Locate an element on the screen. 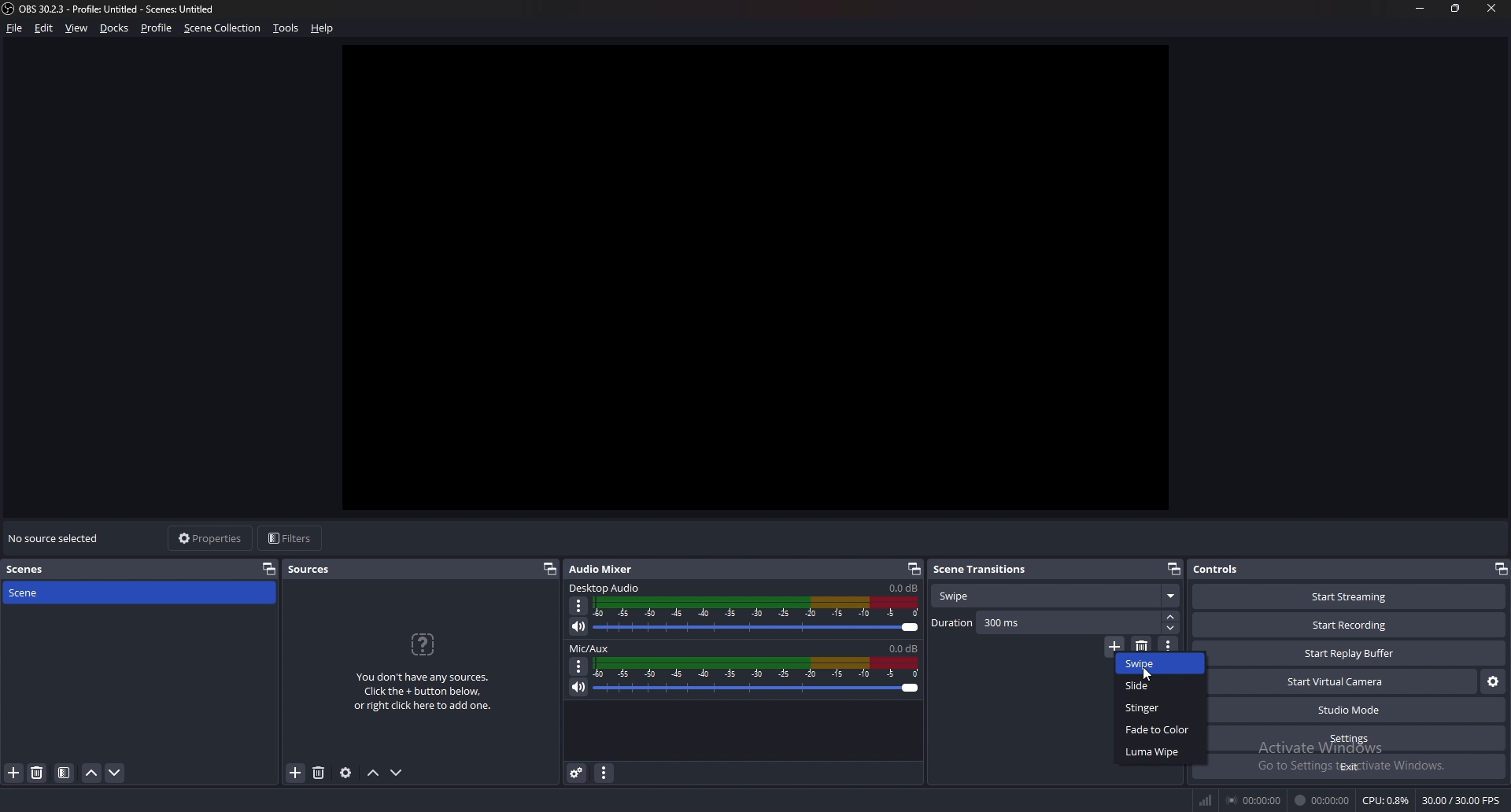 The height and width of the screenshot is (812, 1511). resize is located at coordinates (1456, 9).